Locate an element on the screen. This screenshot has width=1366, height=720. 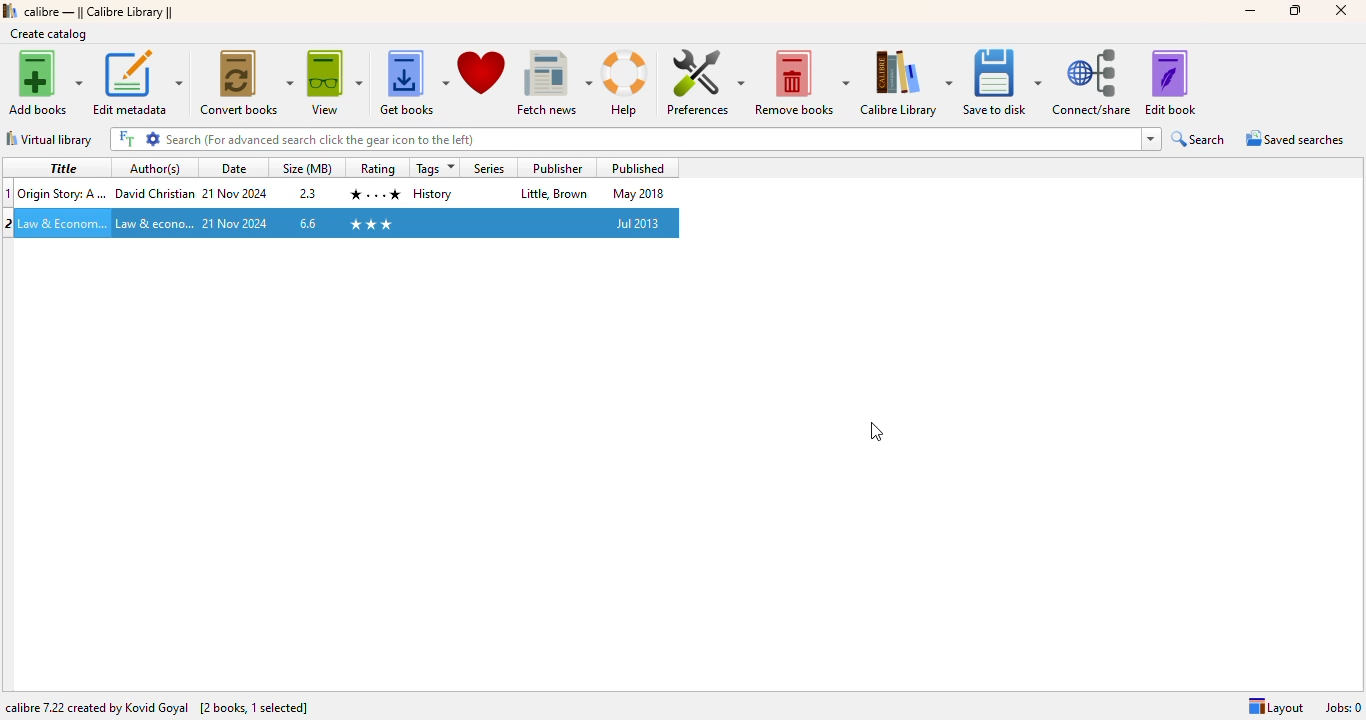
calibre 7.22 created by Kovid Goyal is located at coordinates (97, 707).